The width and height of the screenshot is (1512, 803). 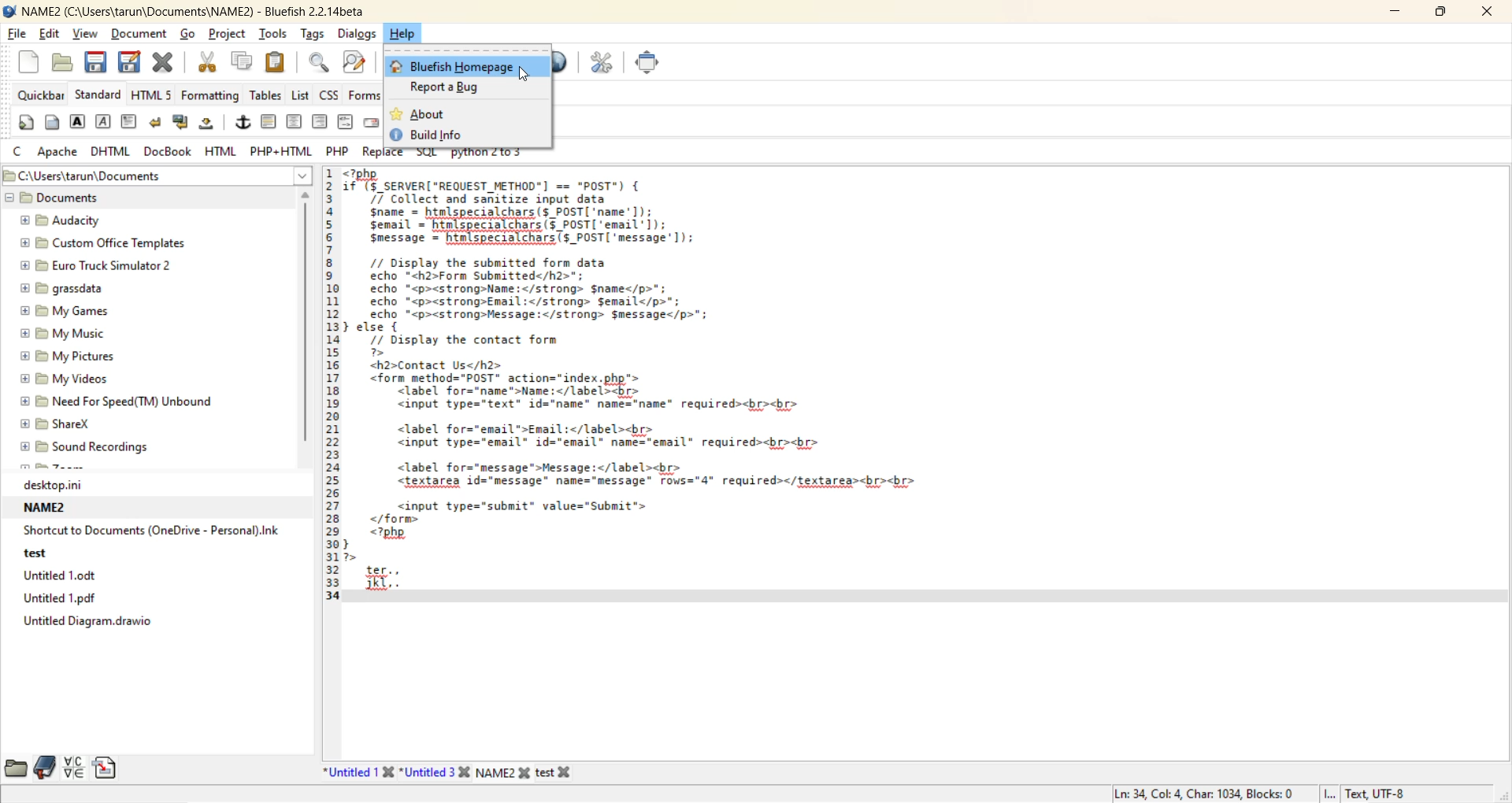 What do you see at coordinates (29, 61) in the screenshot?
I see `new` at bounding box center [29, 61].